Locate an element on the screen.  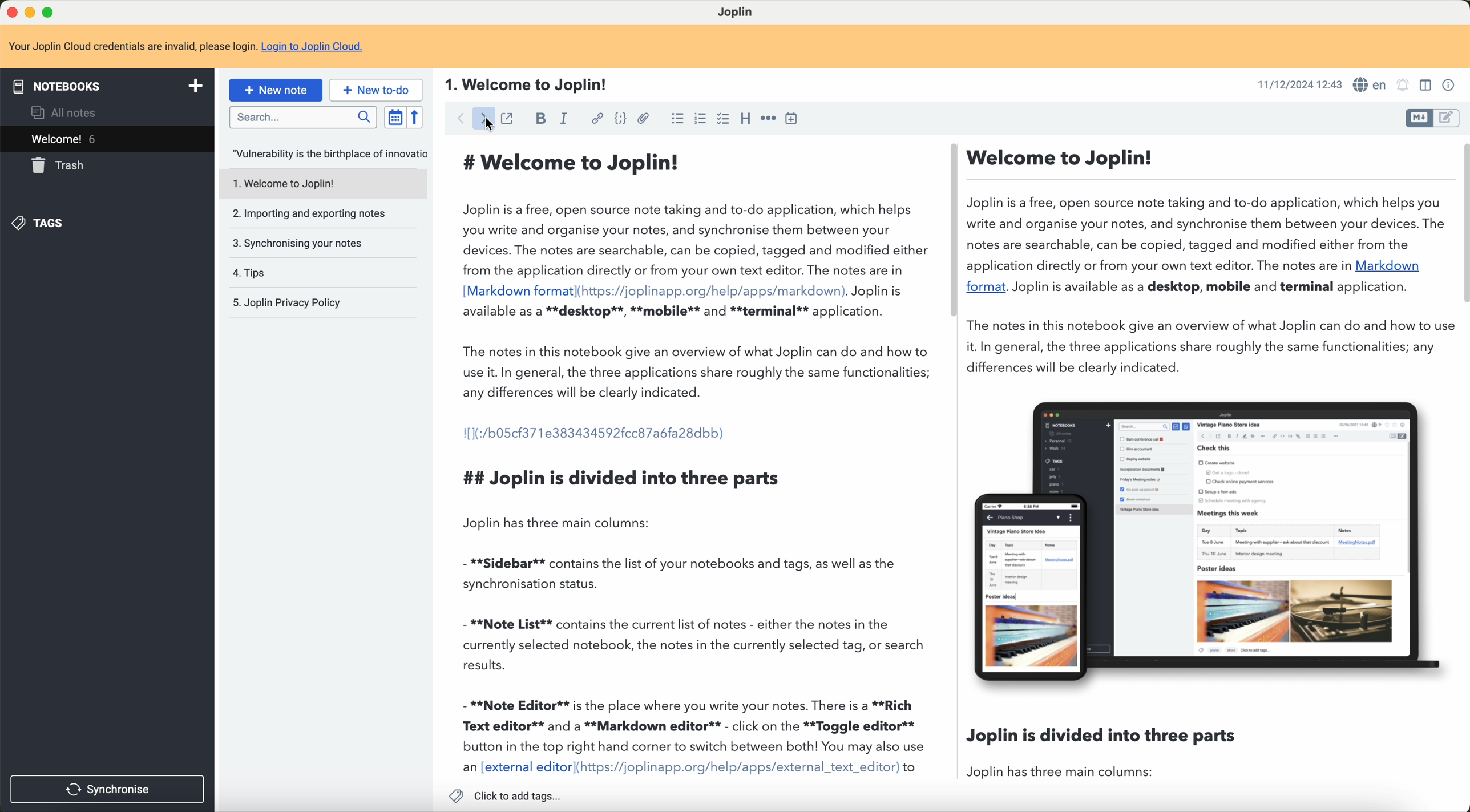
I[1(:/b05cf371e383434592fcc87a6fa28dbb) is located at coordinates (589, 432).